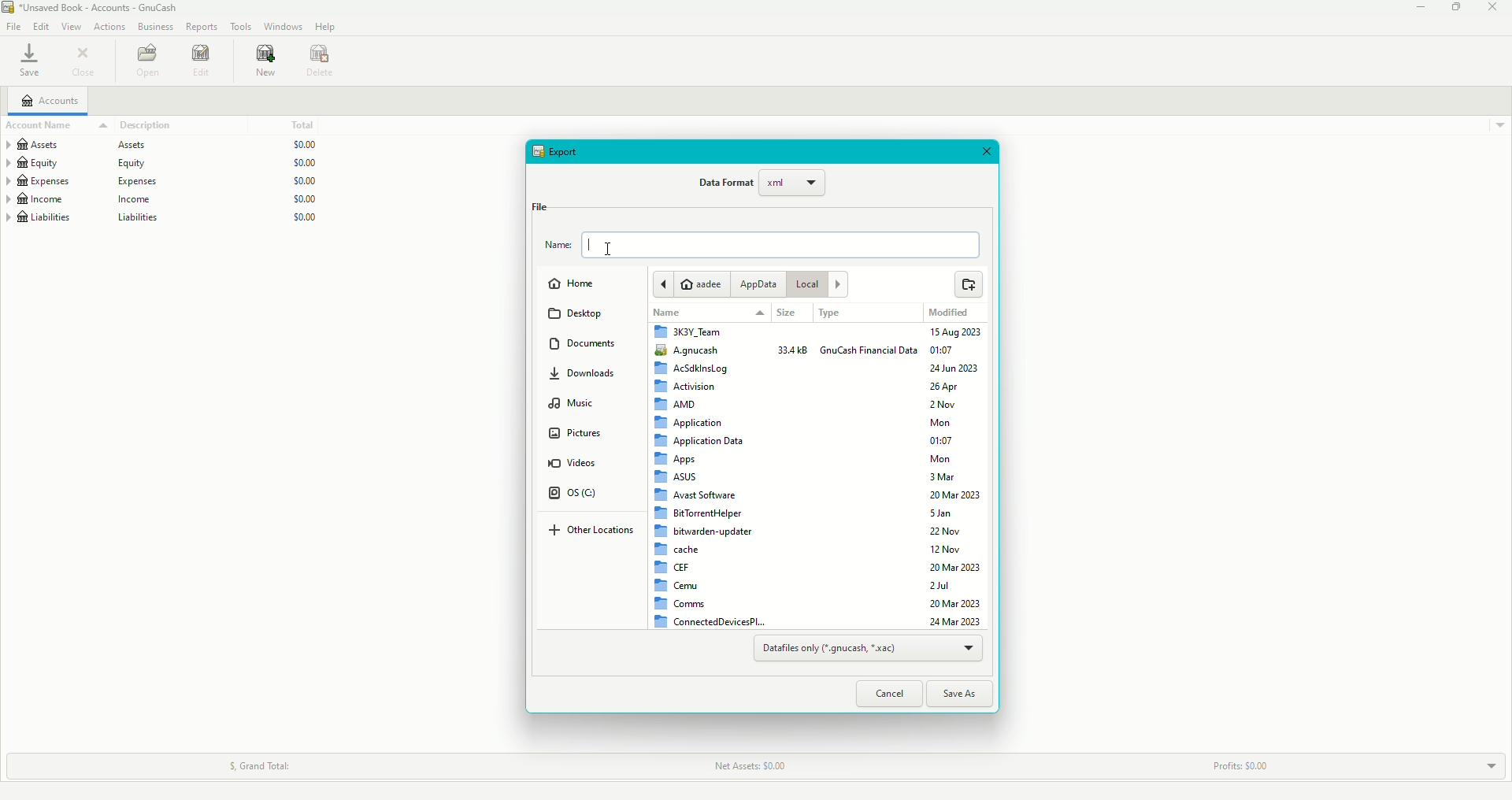  What do you see at coordinates (758, 284) in the screenshot?
I see `AppData` at bounding box center [758, 284].